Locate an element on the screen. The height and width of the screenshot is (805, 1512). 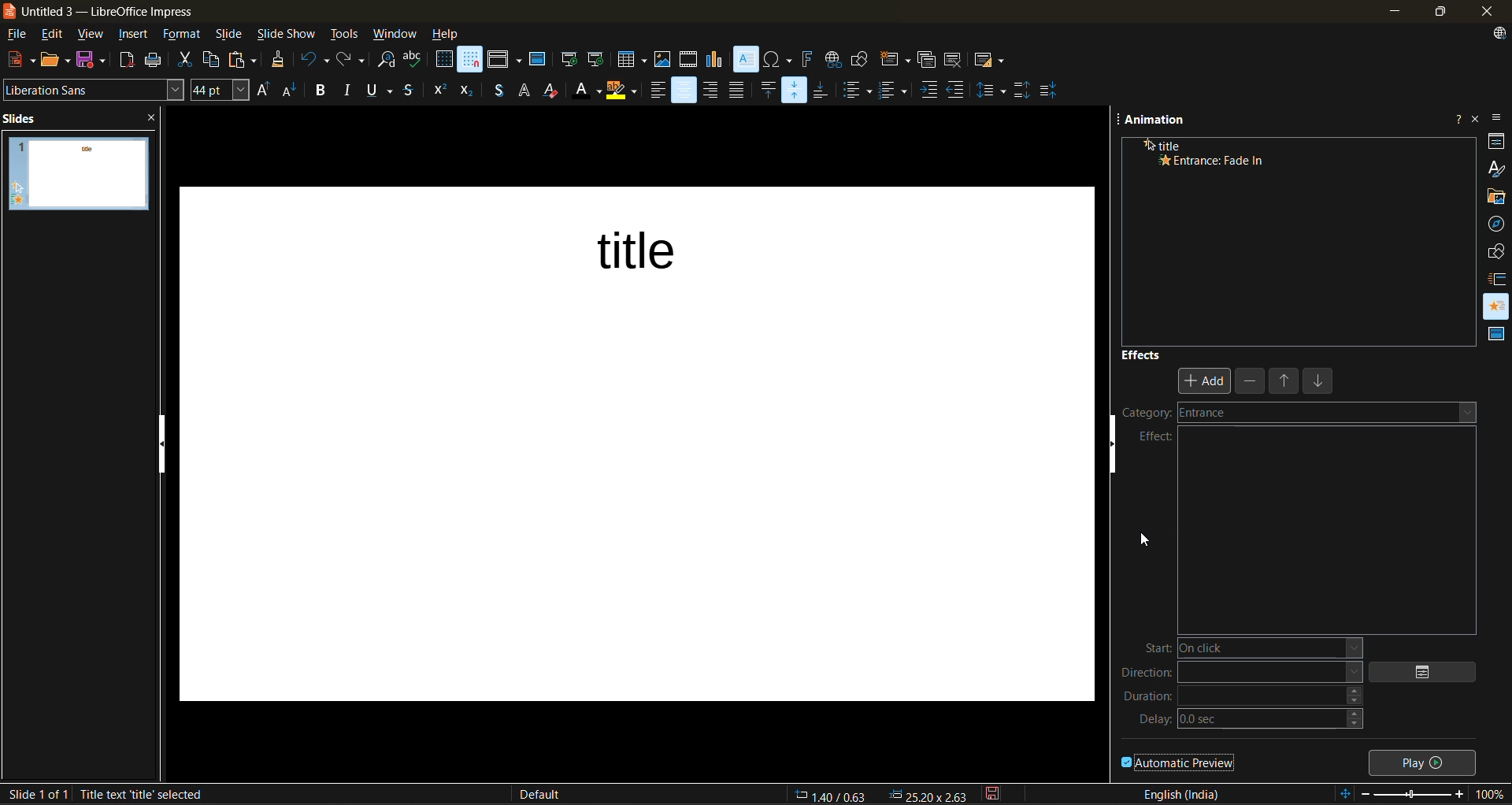
start from current slide is located at coordinates (595, 59).